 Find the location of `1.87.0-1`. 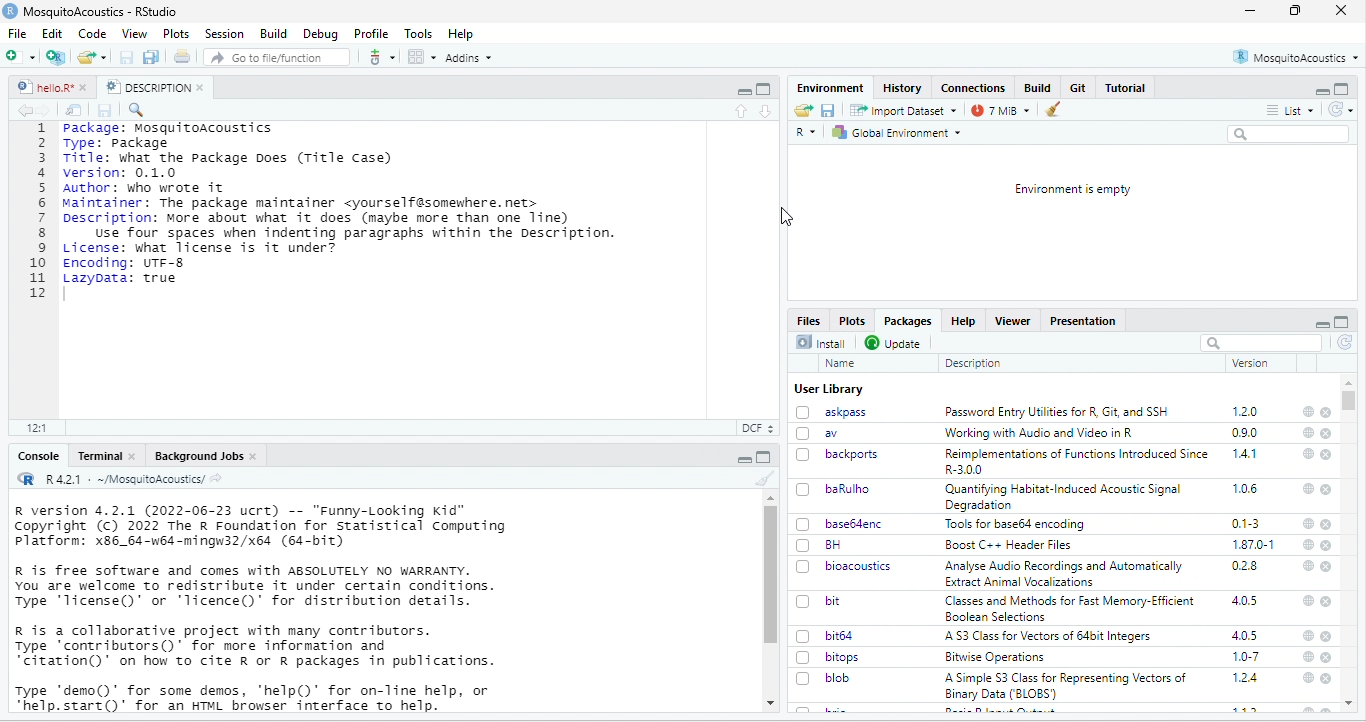

1.87.0-1 is located at coordinates (1255, 544).